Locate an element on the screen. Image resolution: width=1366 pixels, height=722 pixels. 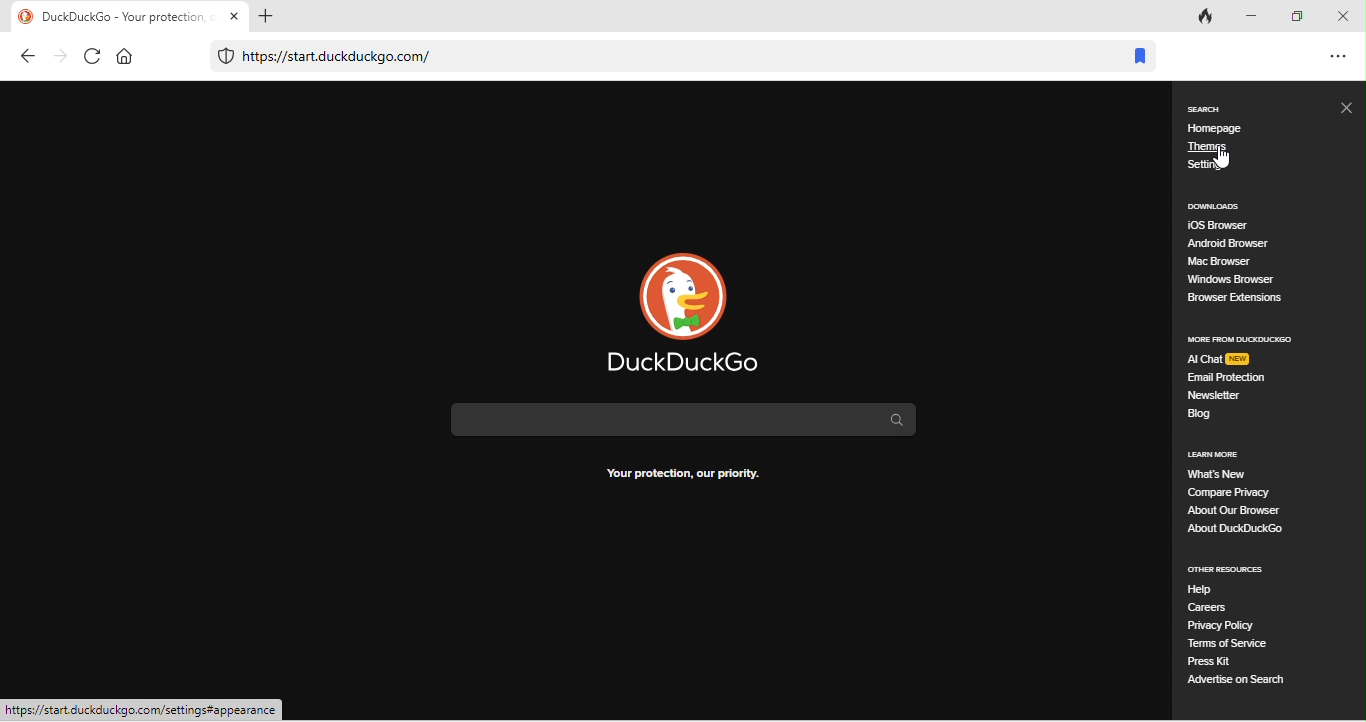
privacy policy is located at coordinates (1223, 627).